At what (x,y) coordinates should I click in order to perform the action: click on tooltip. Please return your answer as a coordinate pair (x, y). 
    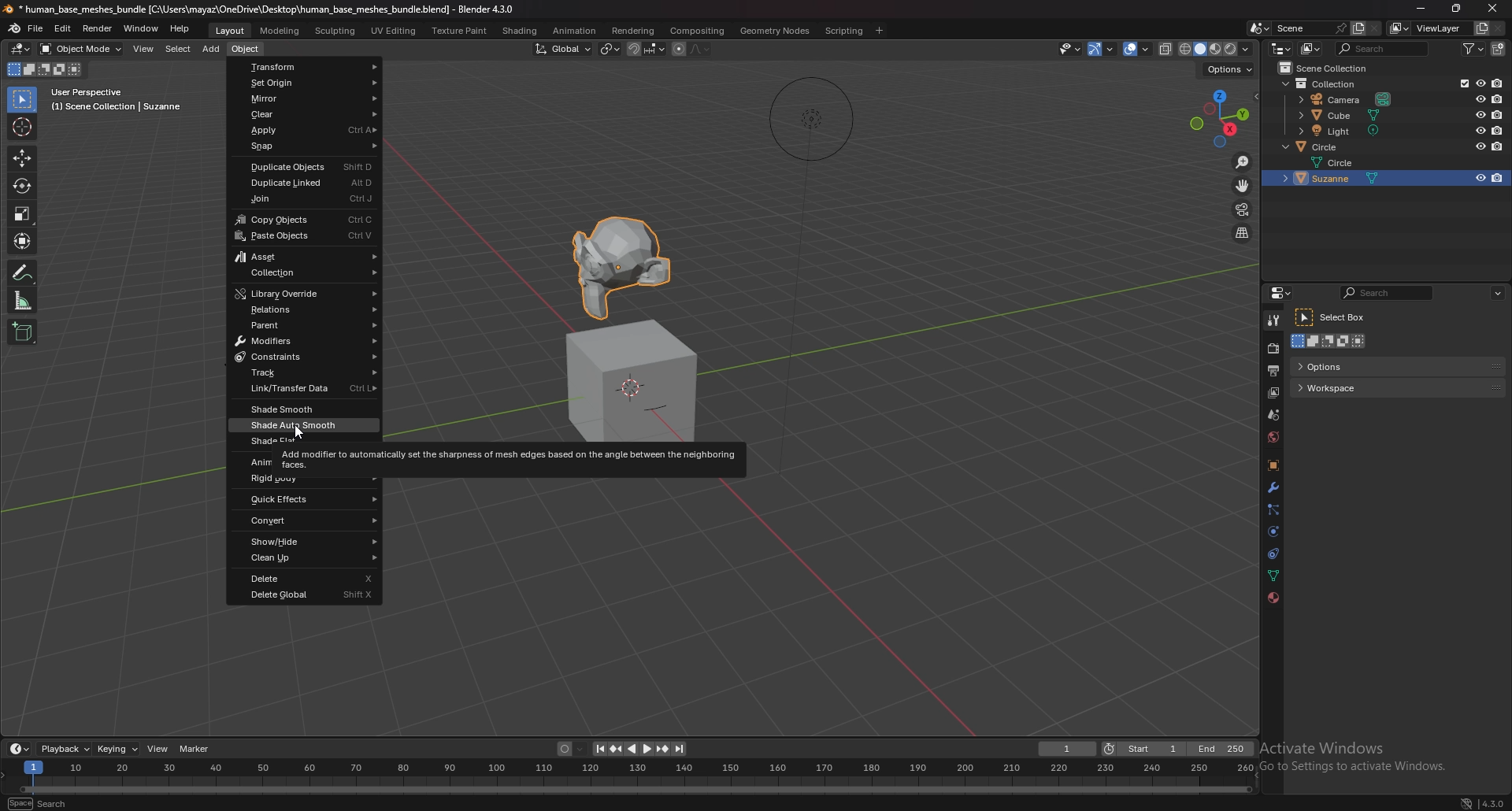
    Looking at the image, I should click on (511, 458).